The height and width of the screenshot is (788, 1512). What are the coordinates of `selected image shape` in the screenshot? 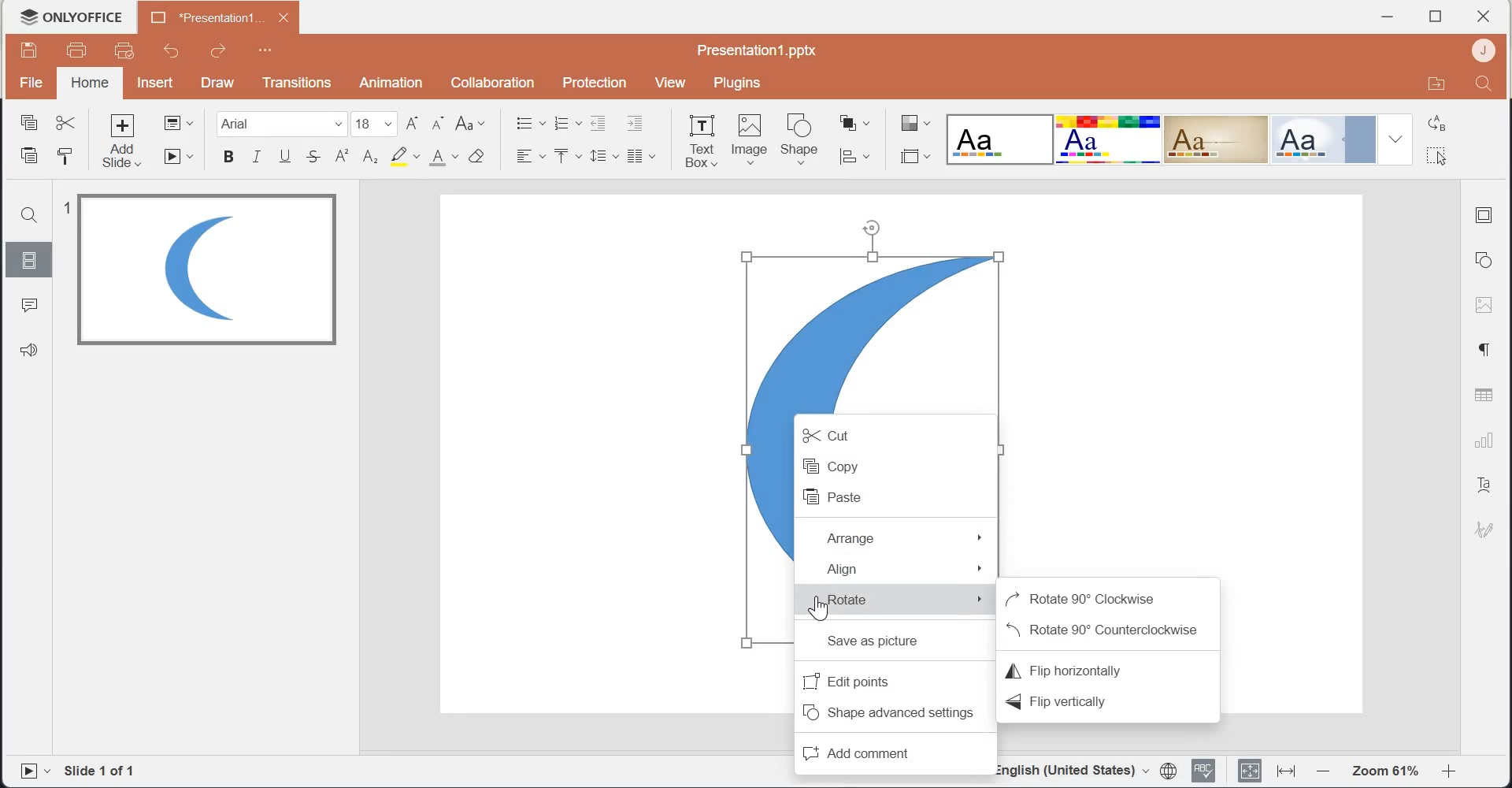 It's located at (873, 310).